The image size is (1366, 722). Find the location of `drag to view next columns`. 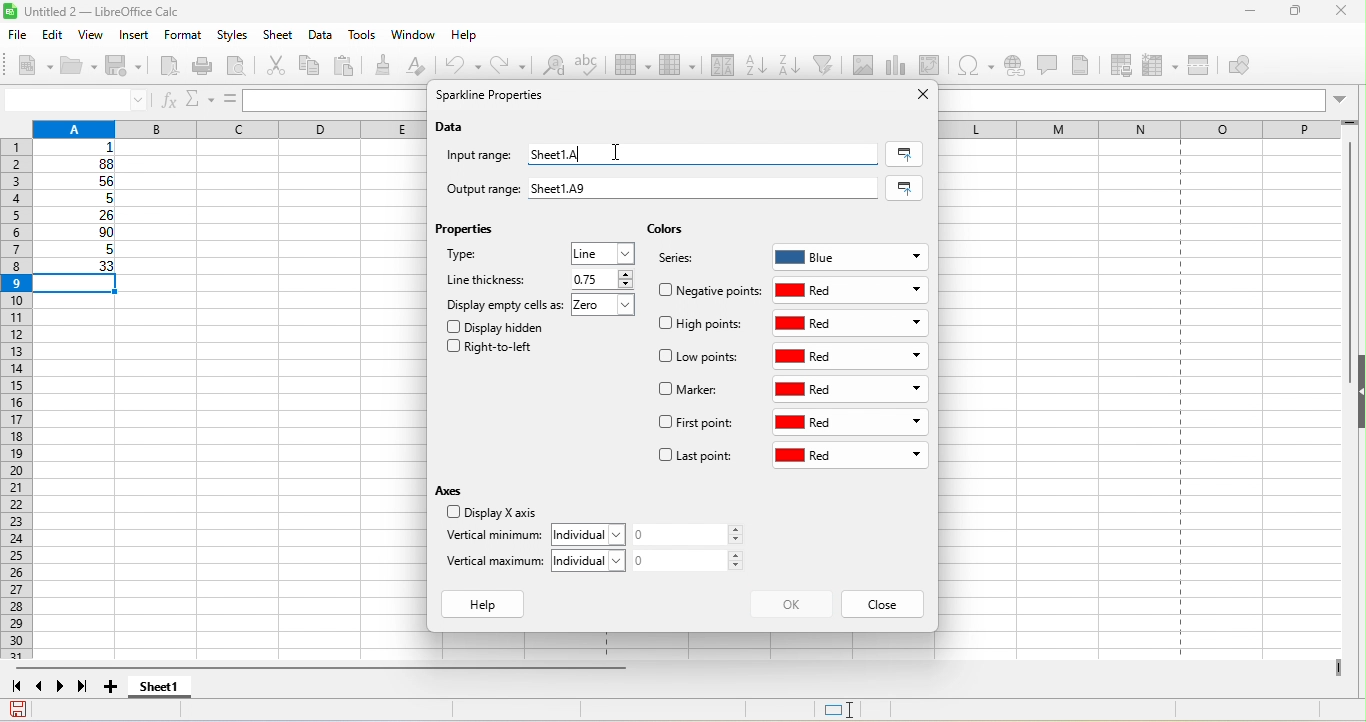

drag to view next columns is located at coordinates (1339, 668).